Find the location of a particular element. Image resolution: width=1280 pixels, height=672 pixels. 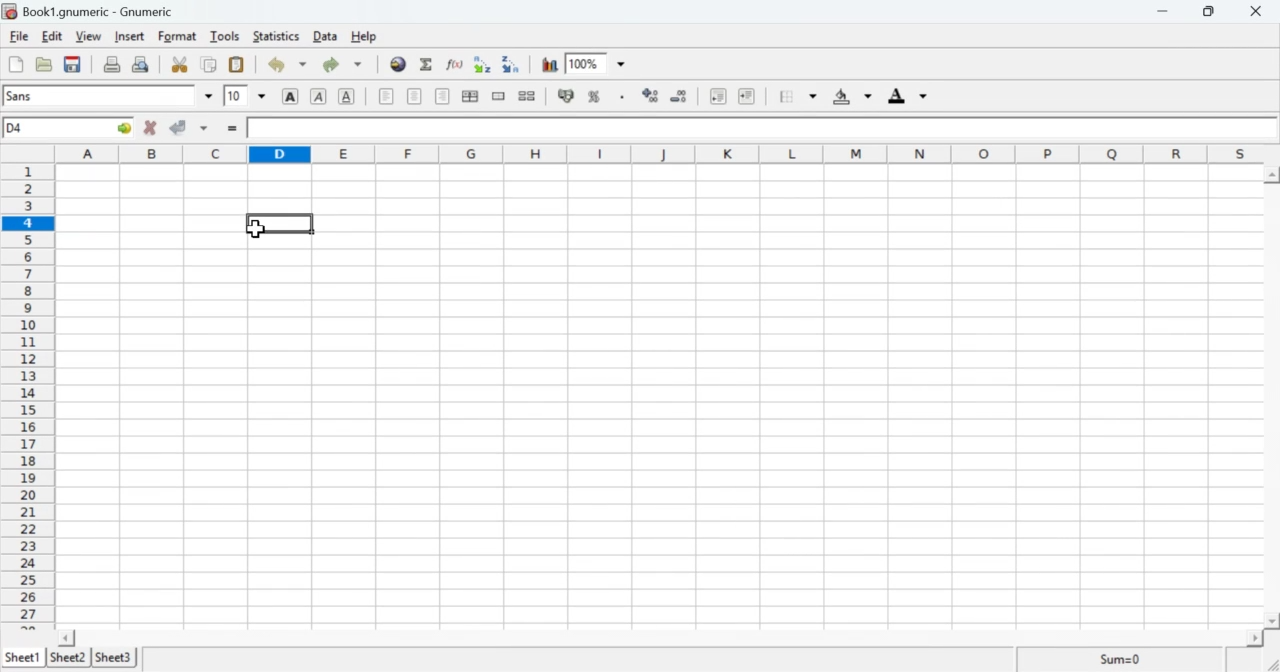

numbering column is located at coordinates (28, 394).